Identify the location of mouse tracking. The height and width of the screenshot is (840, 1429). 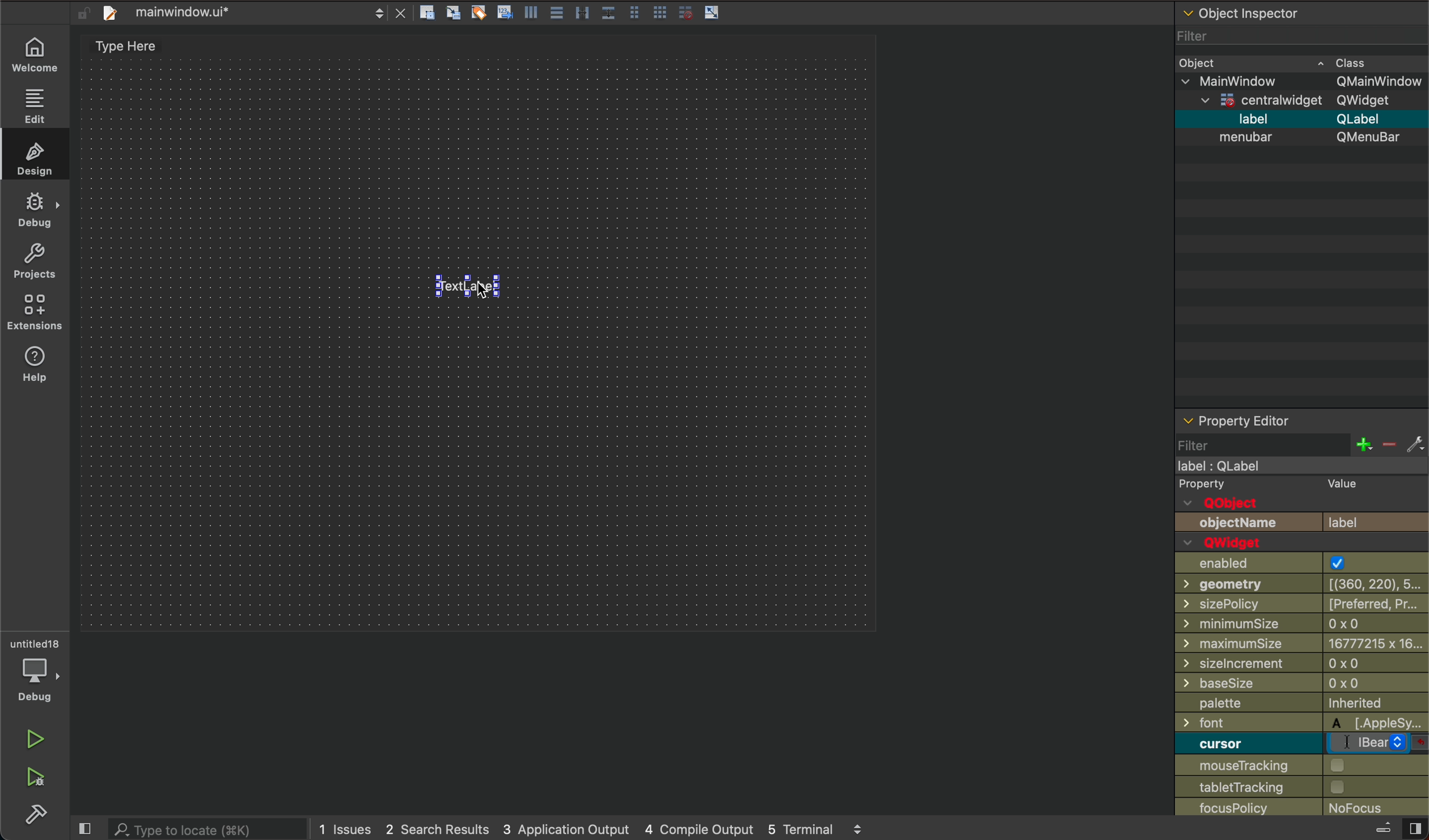
(1244, 766).